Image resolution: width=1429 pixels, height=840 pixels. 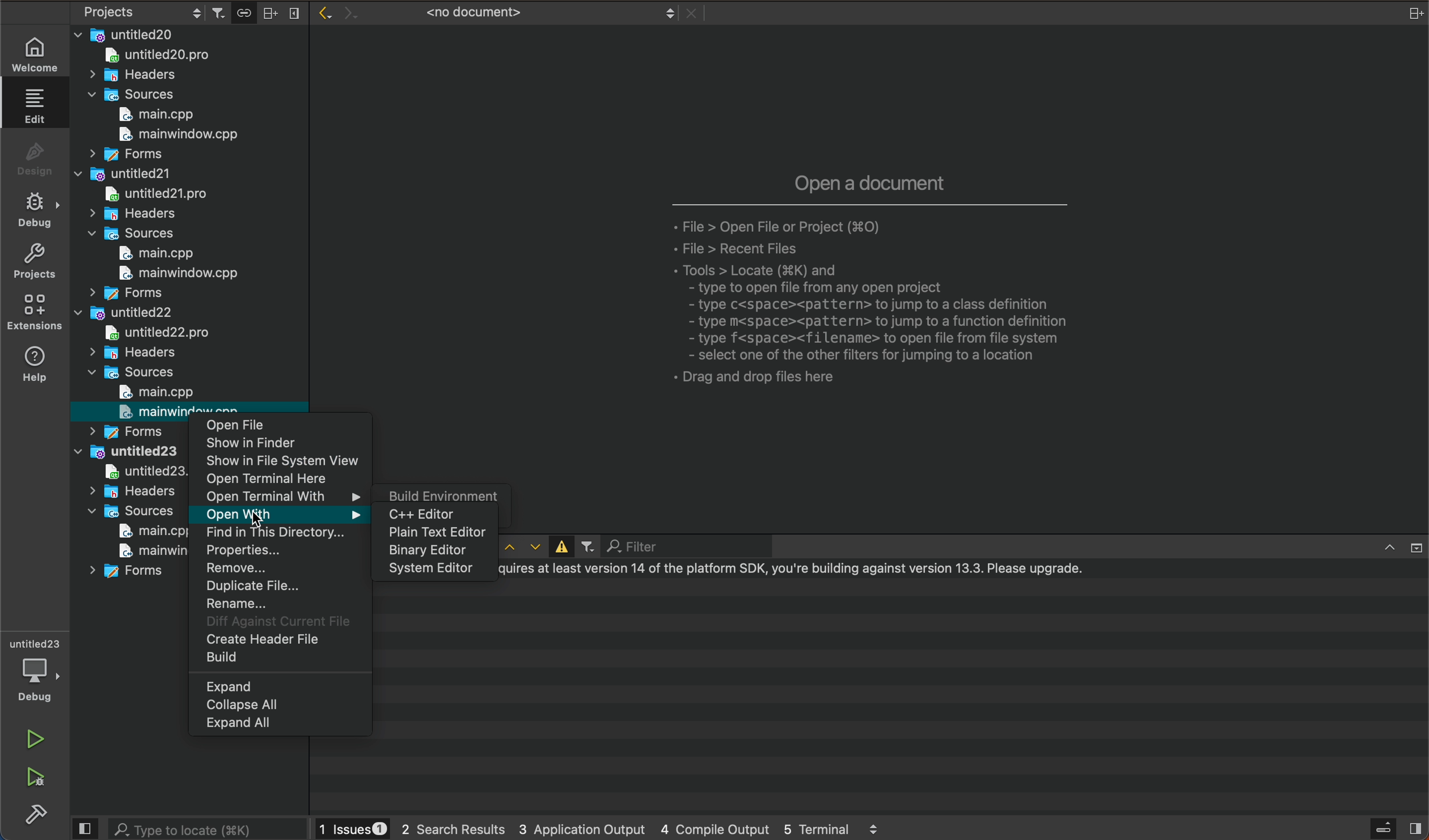 What do you see at coordinates (35, 779) in the screenshot?
I see `run debug` at bounding box center [35, 779].